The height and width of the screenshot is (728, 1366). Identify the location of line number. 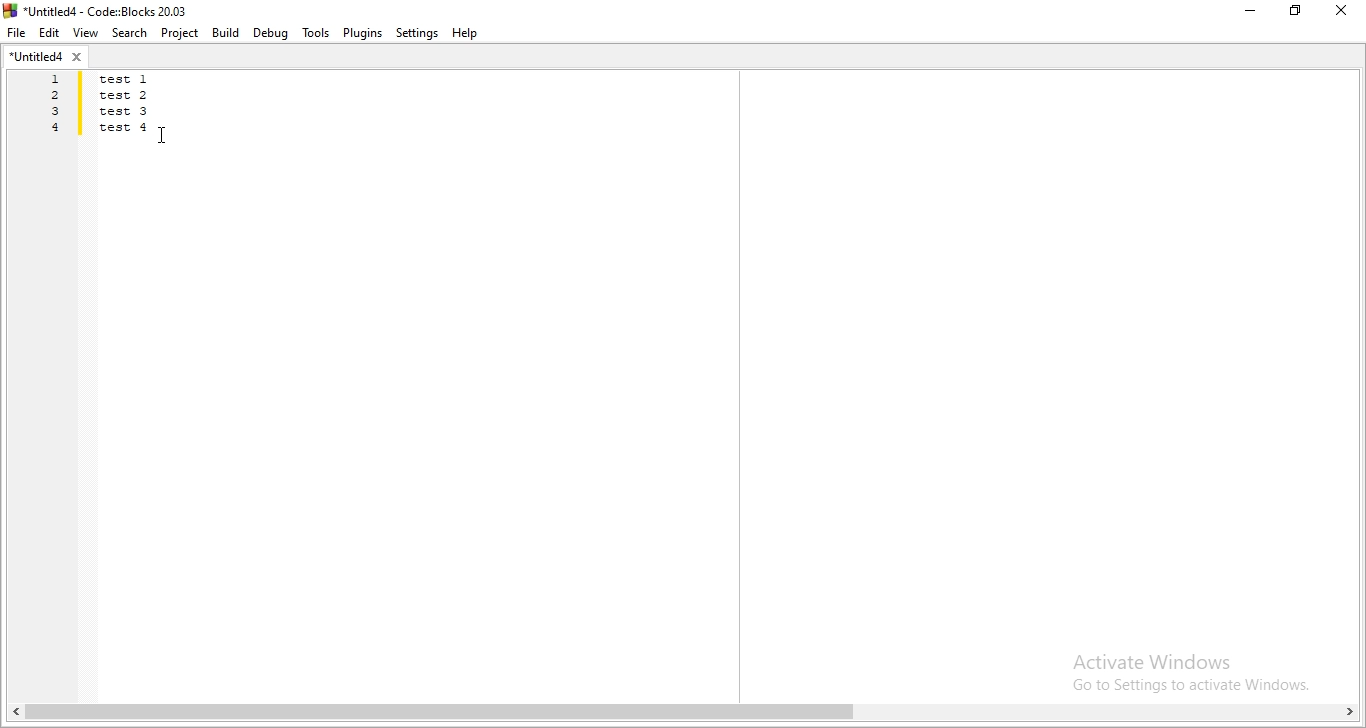
(54, 107).